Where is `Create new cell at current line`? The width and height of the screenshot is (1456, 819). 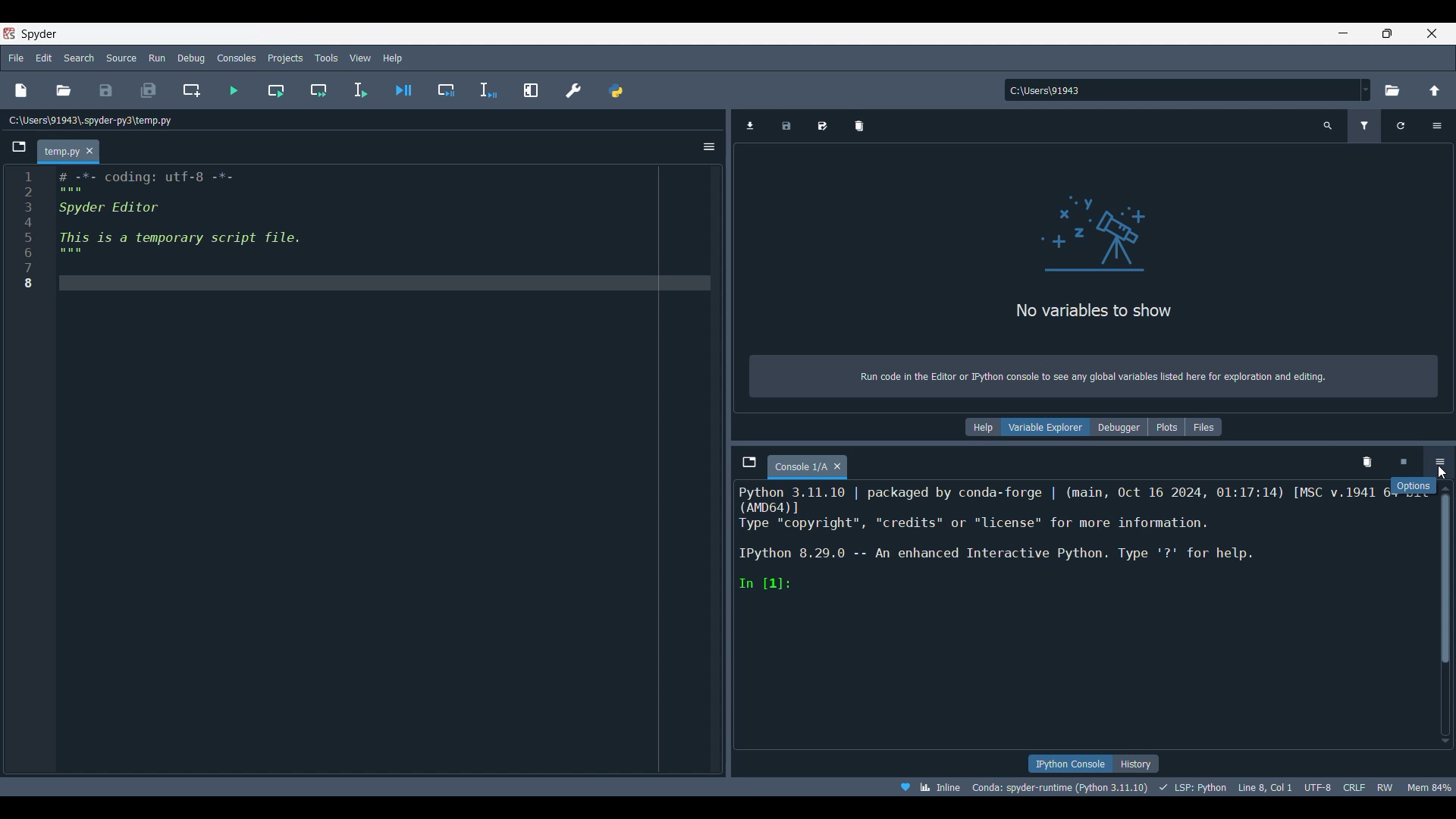 Create new cell at current line is located at coordinates (192, 90).